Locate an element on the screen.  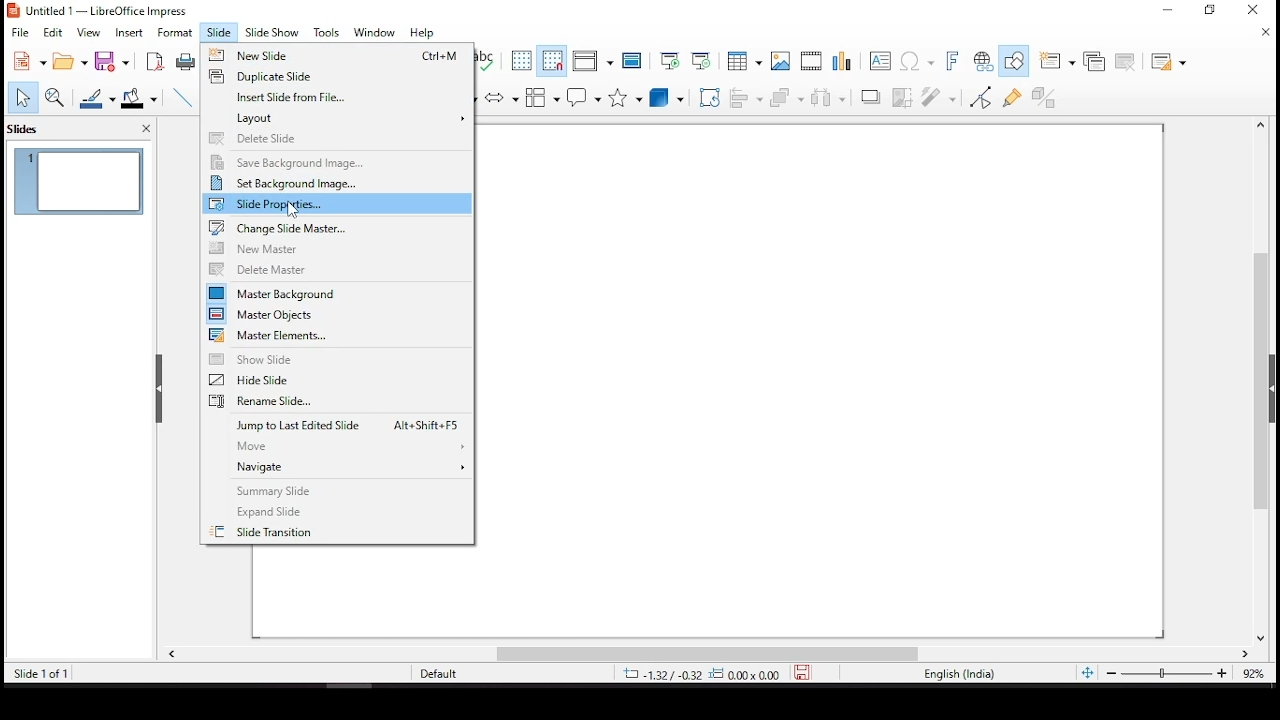
rotate is located at coordinates (710, 96).